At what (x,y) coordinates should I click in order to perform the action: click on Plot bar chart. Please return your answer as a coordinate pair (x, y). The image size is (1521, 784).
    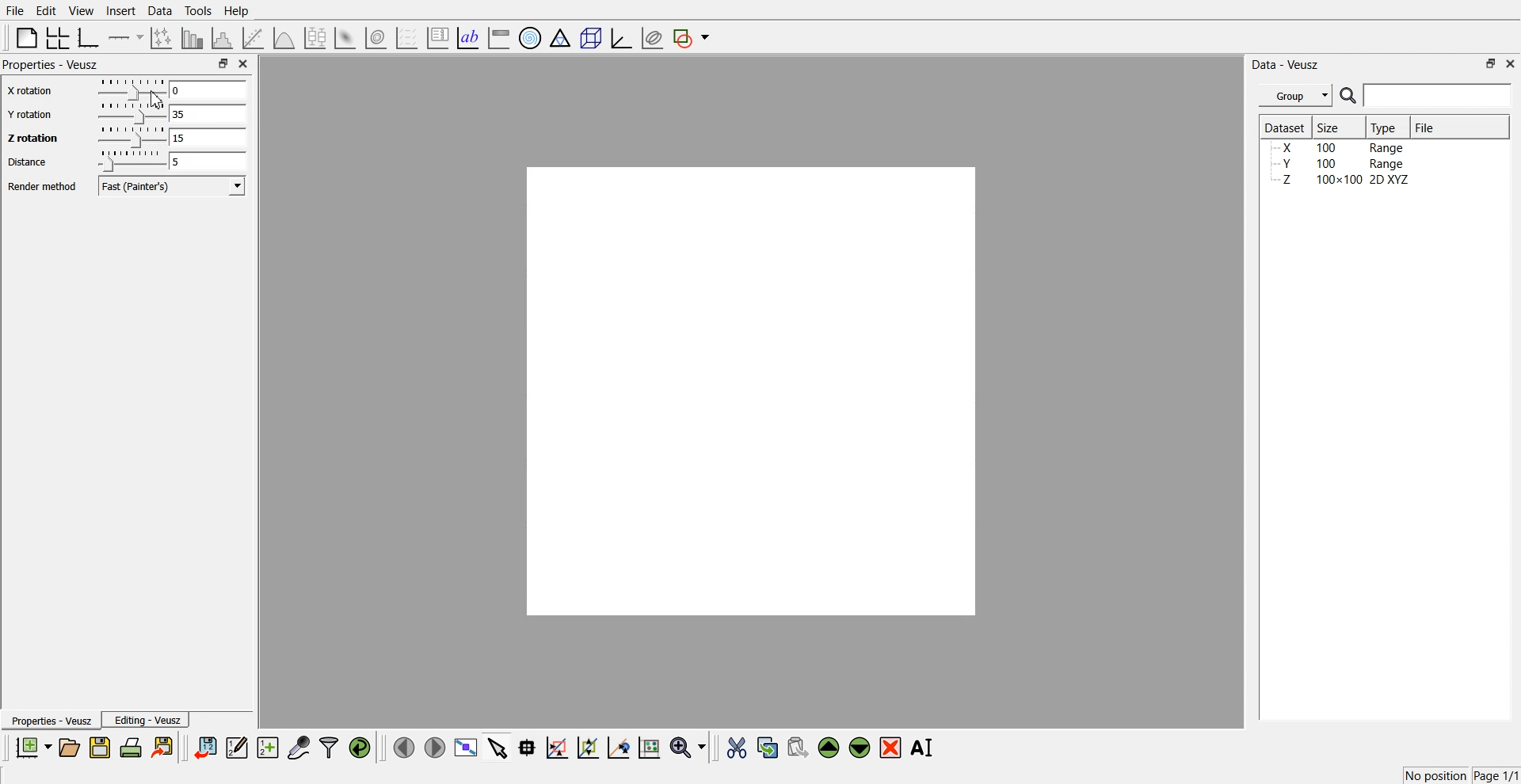
    Looking at the image, I should click on (192, 38).